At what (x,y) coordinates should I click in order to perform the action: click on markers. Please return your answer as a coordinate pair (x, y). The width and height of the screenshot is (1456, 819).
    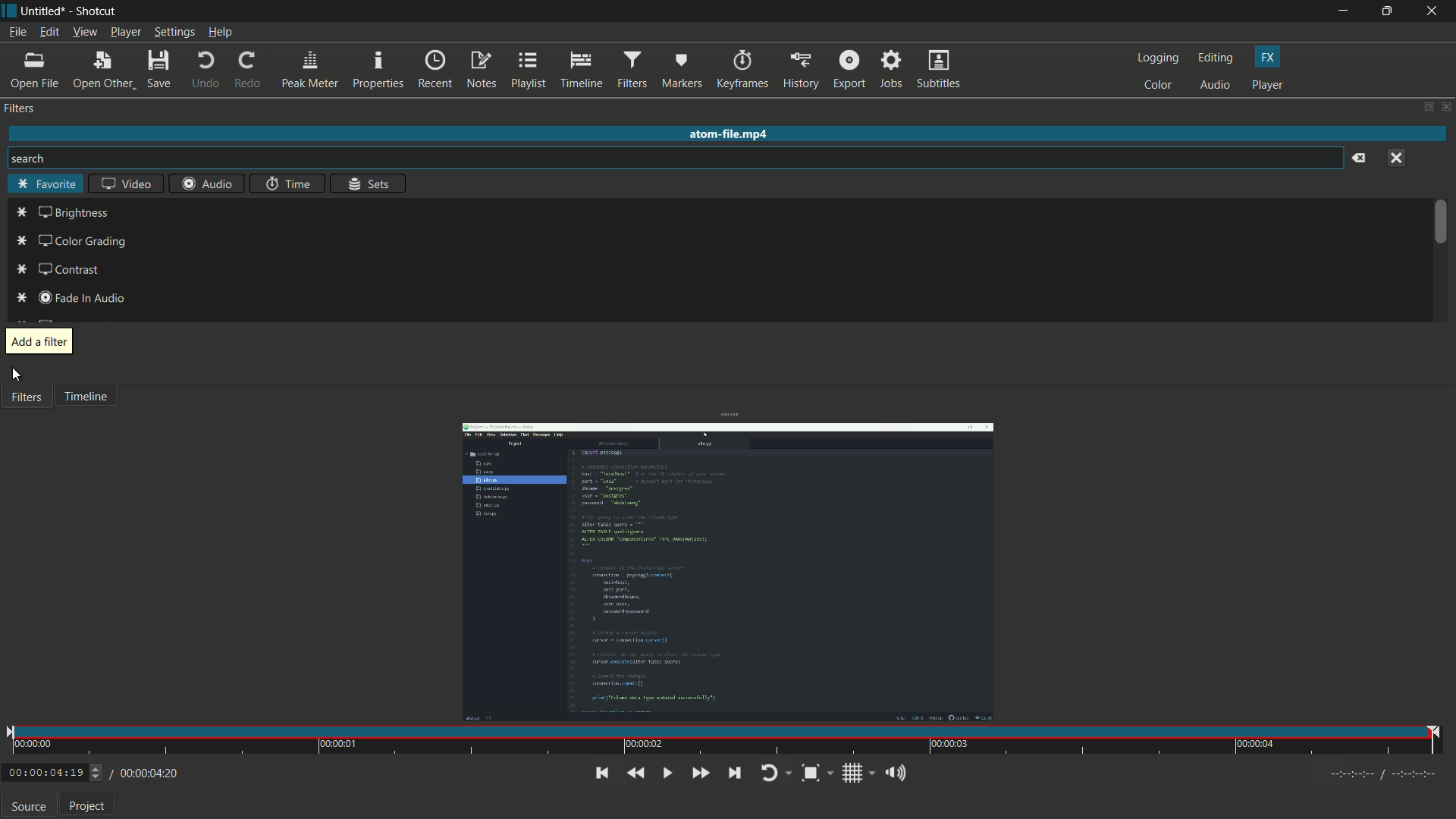
    Looking at the image, I should click on (680, 73).